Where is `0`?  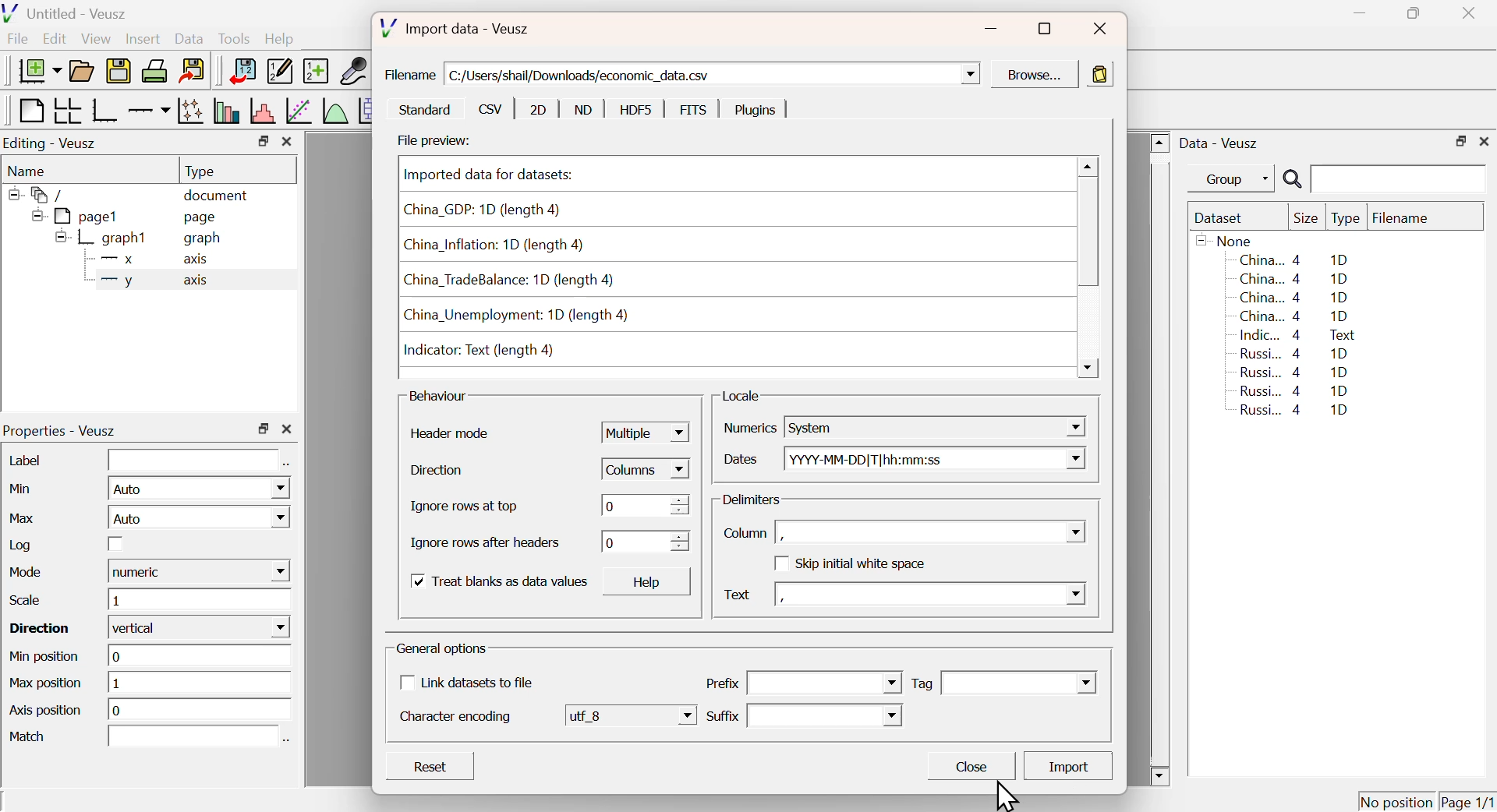
0 is located at coordinates (644, 505).